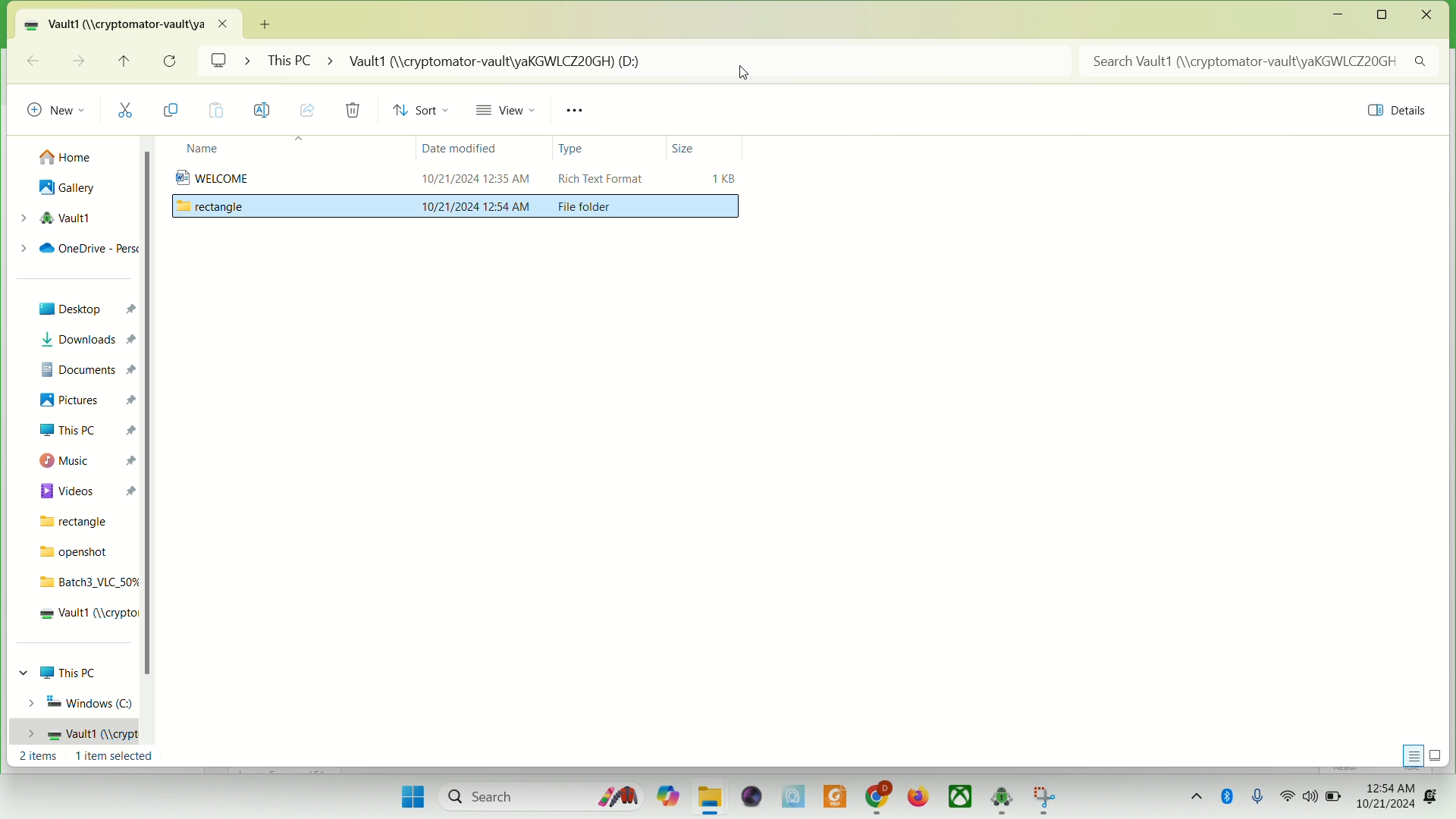 This screenshot has height=819, width=1456. Describe the element at coordinates (1334, 797) in the screenshot. I see `battery` at that location.